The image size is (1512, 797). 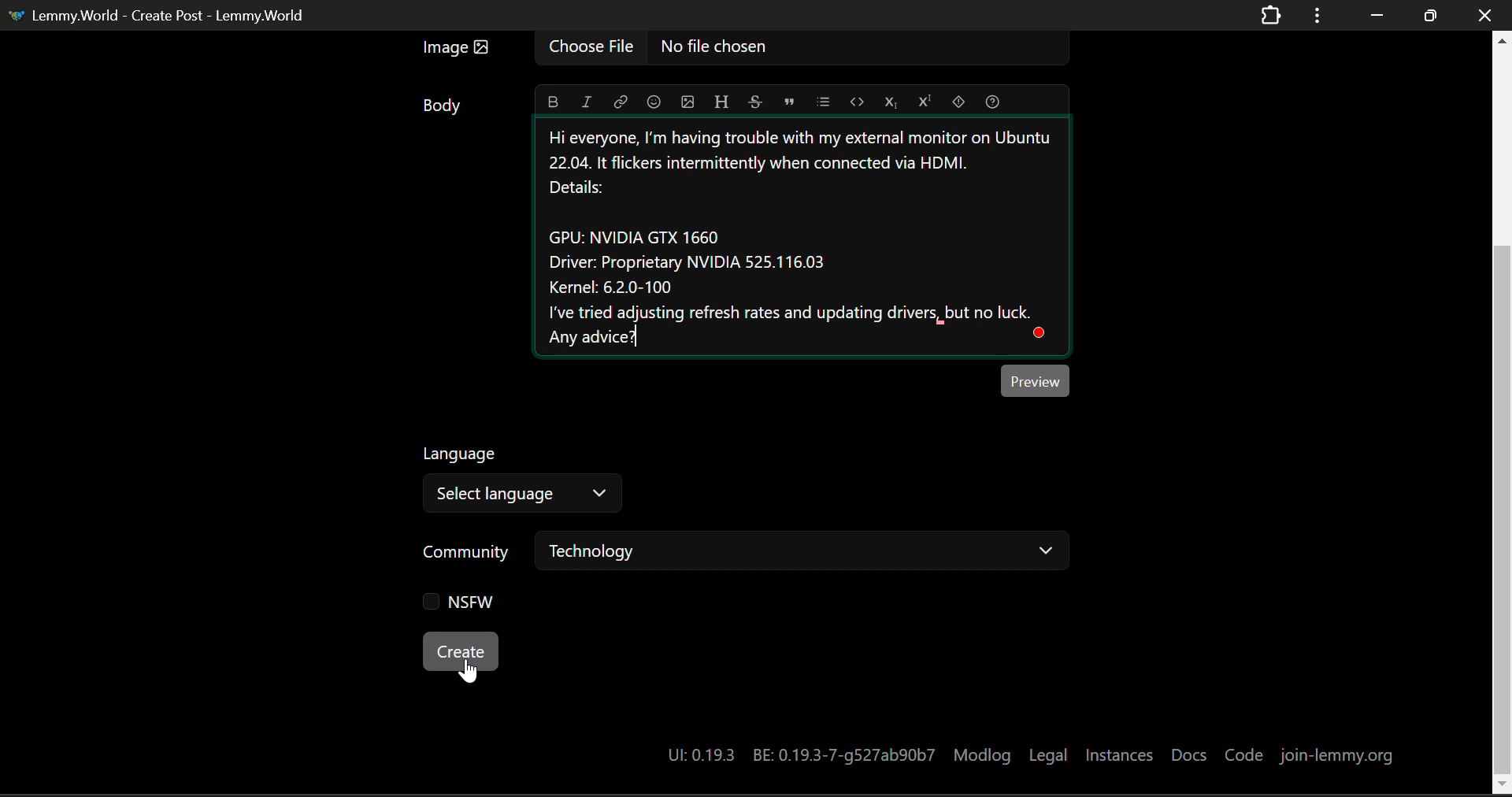 What do you see at coordinates (1502, 412) in the screenshot?
I see `Vertical Scroll Bar` at bounding box center [1502, 412].